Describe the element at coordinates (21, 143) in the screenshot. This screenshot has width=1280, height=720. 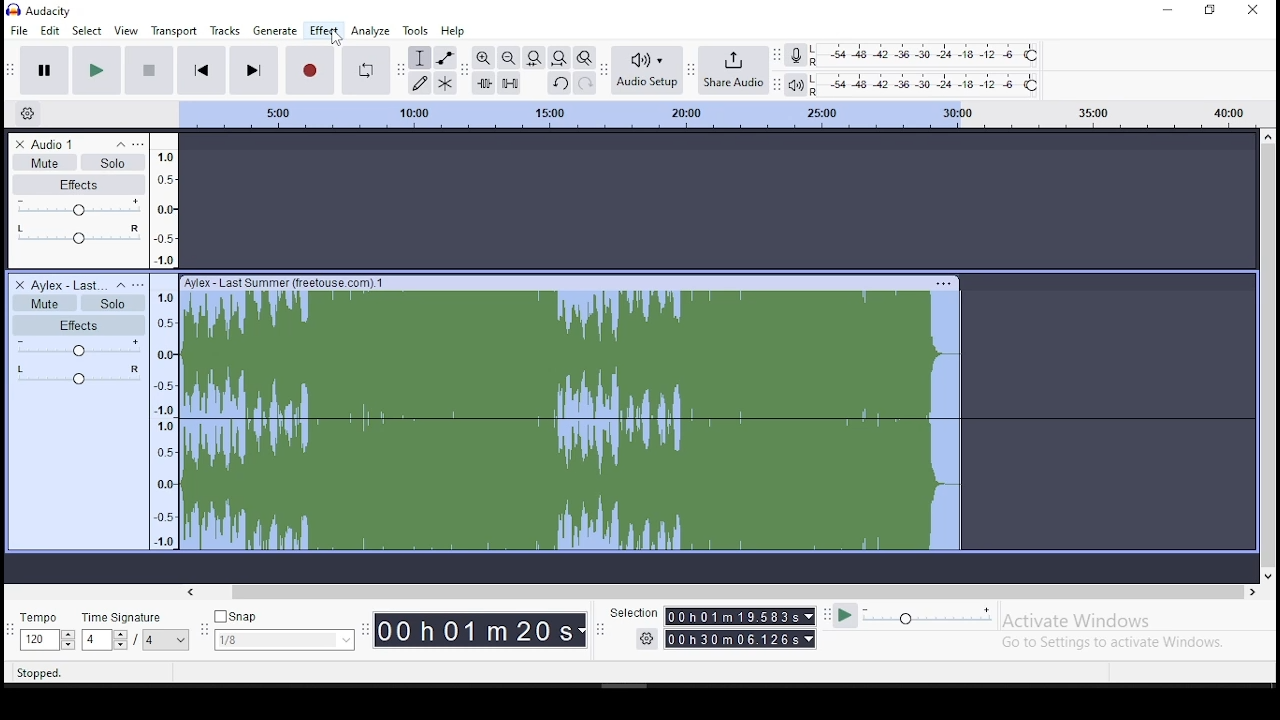
I see `delete track` at that location.